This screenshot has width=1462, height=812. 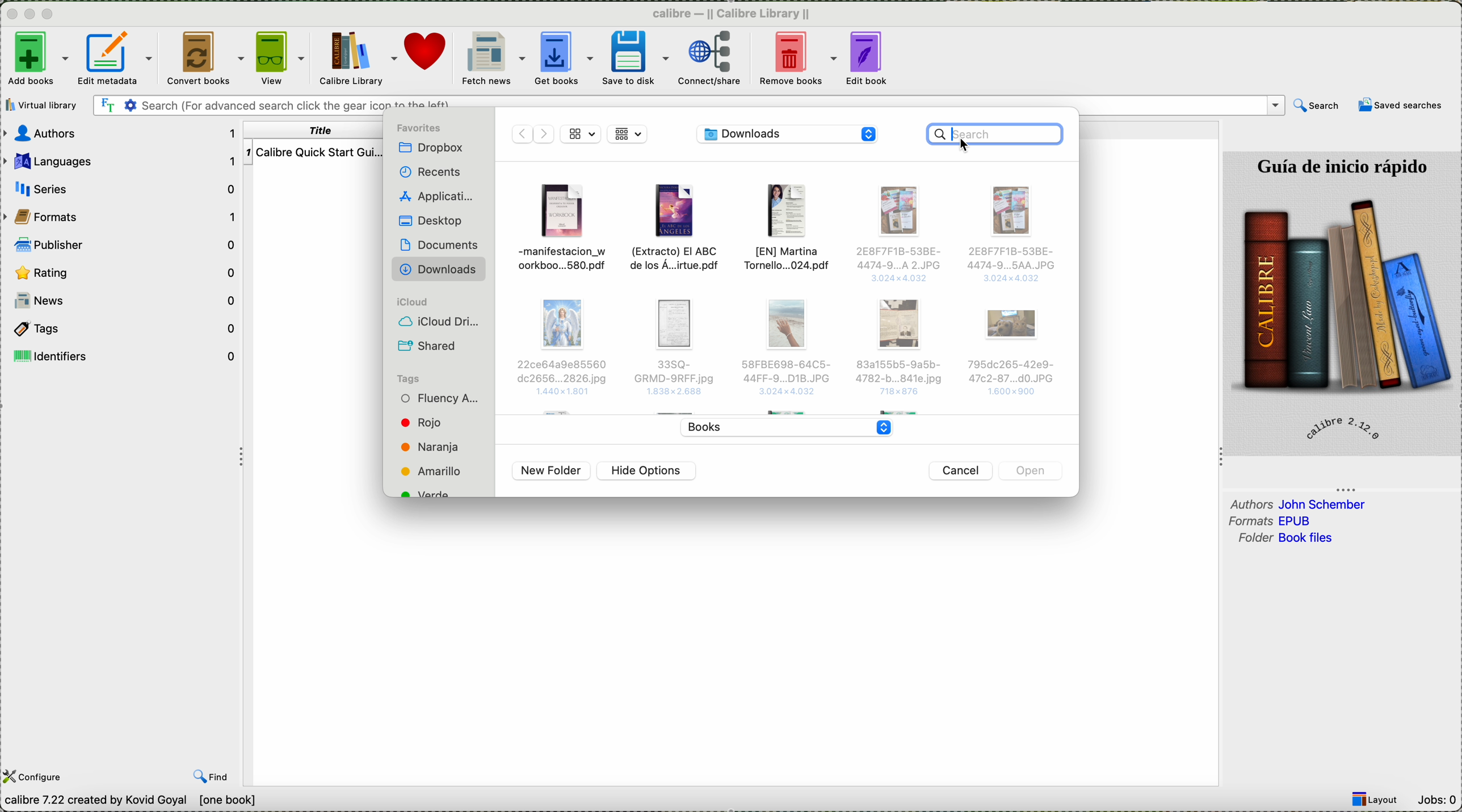 I want to click on Calibre Quick start guide, so click(x=313, y=152).